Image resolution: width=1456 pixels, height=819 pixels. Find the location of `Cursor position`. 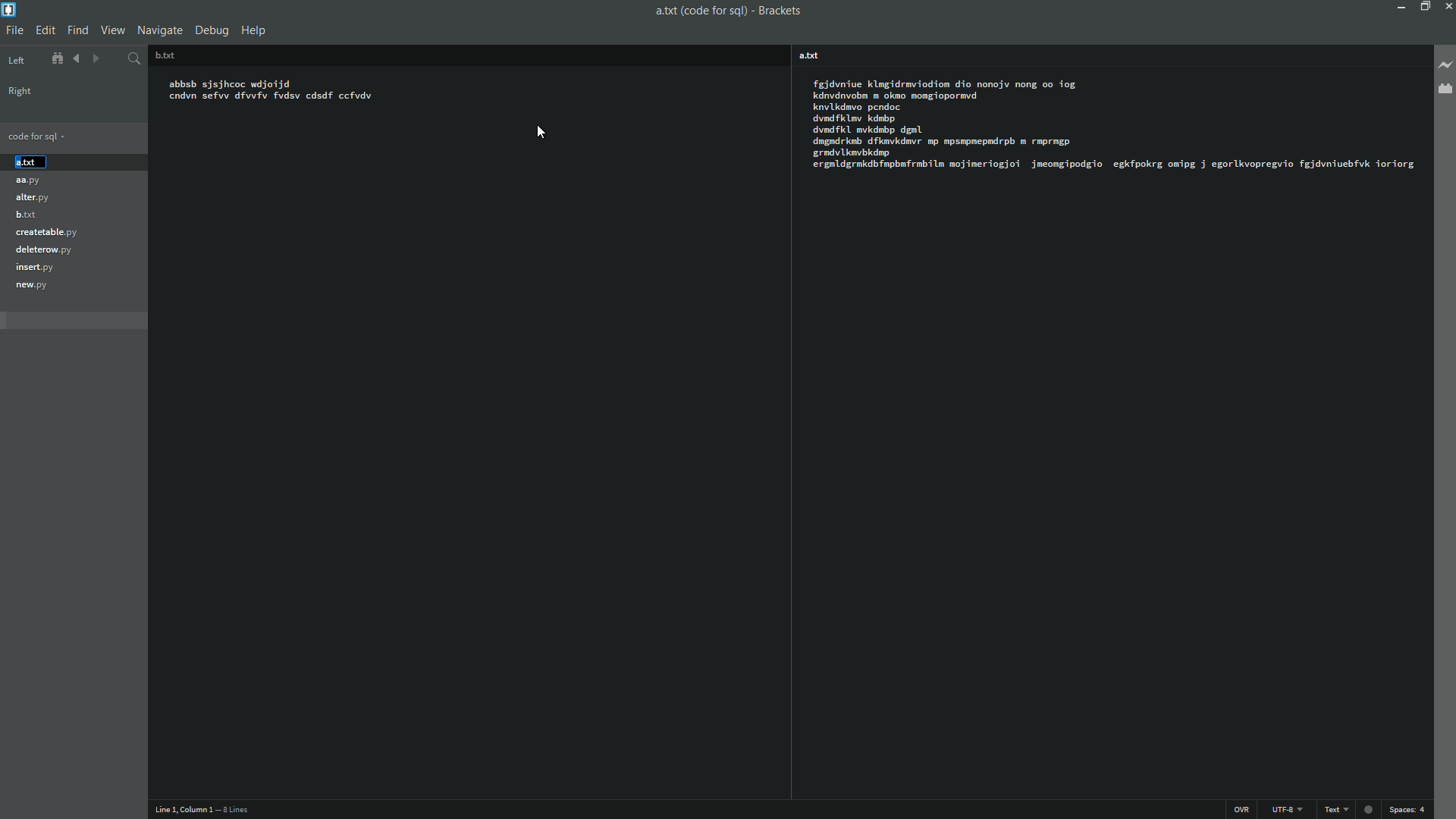

Cursor position is located at coordinates (178, 811).